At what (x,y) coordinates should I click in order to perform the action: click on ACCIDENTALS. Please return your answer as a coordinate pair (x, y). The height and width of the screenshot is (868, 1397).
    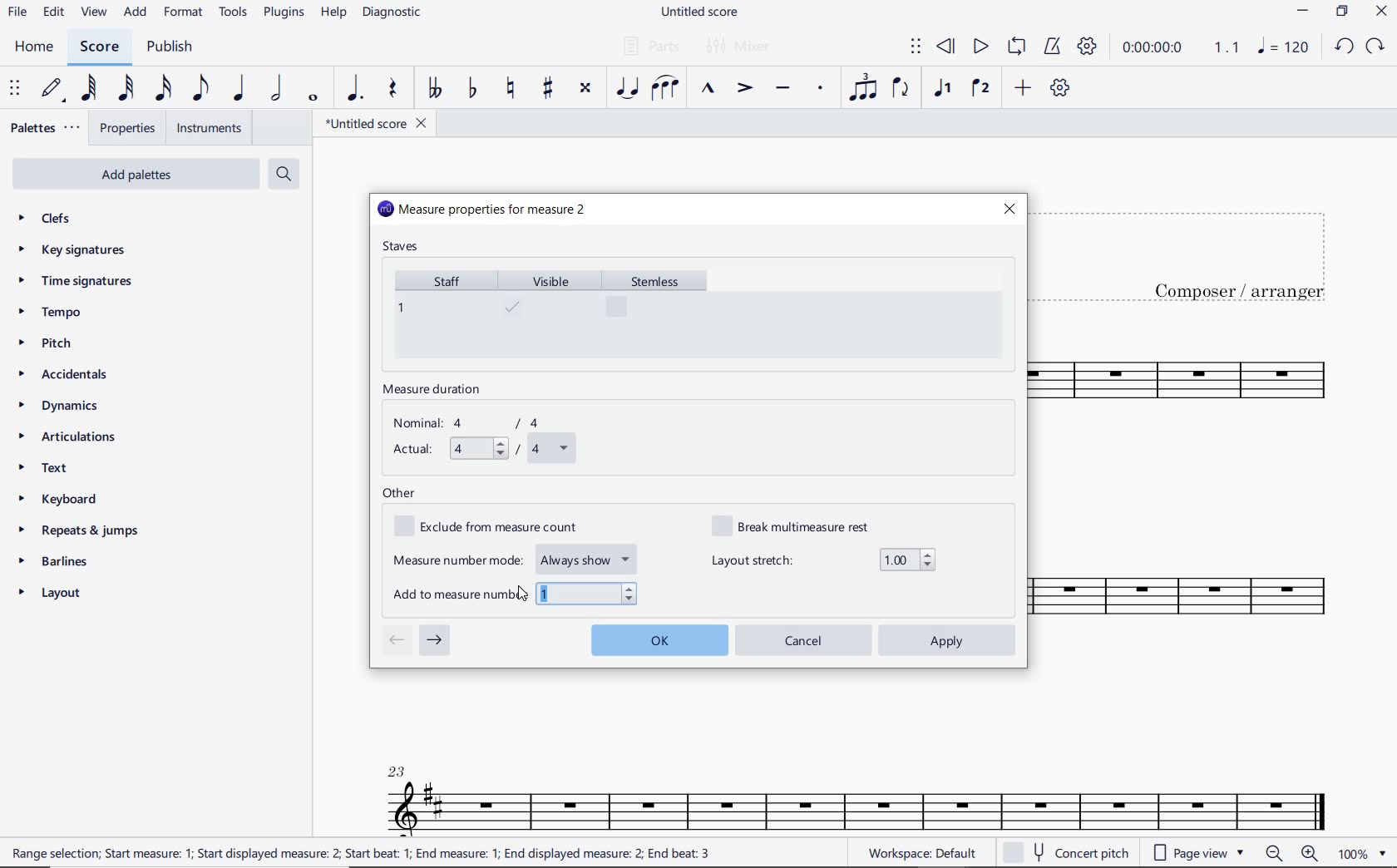
    Looking at the image, I should click on (71, 374).